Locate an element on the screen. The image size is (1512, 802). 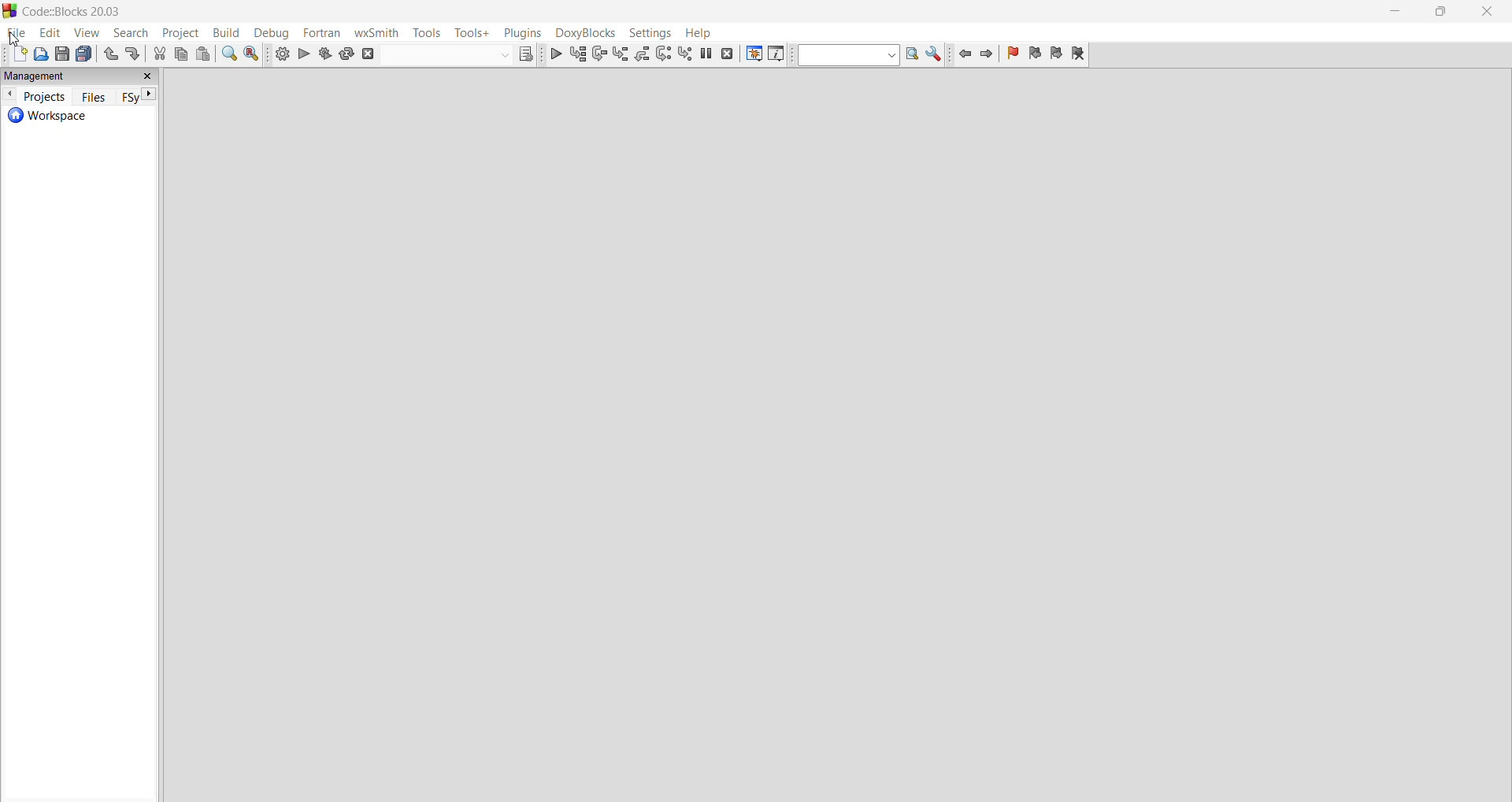
copy is located at coordinates (182, 54).